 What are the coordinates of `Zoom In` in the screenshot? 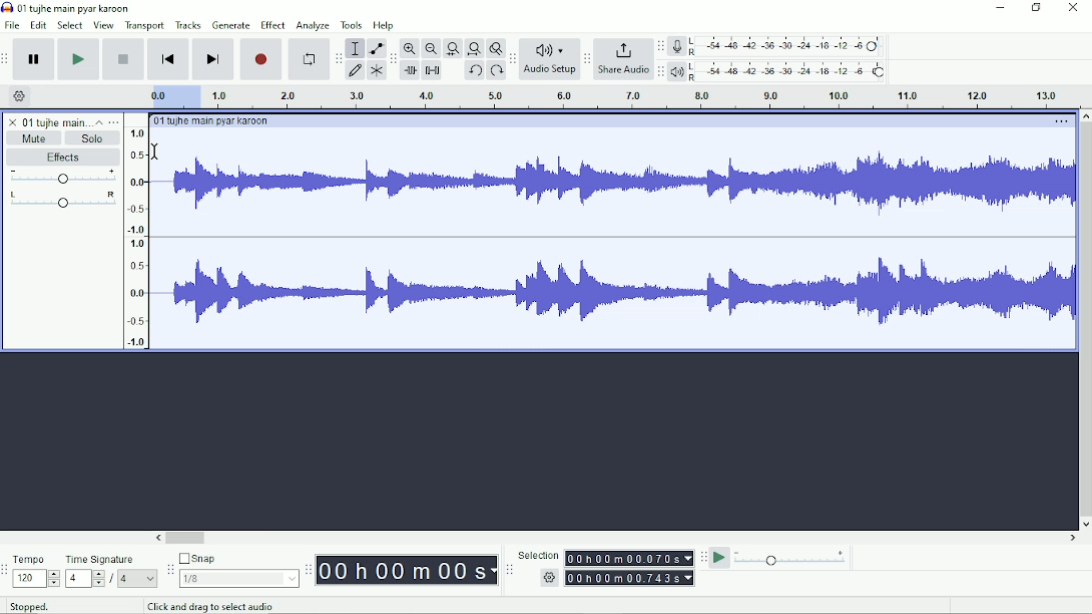 It's located at (411, 48).